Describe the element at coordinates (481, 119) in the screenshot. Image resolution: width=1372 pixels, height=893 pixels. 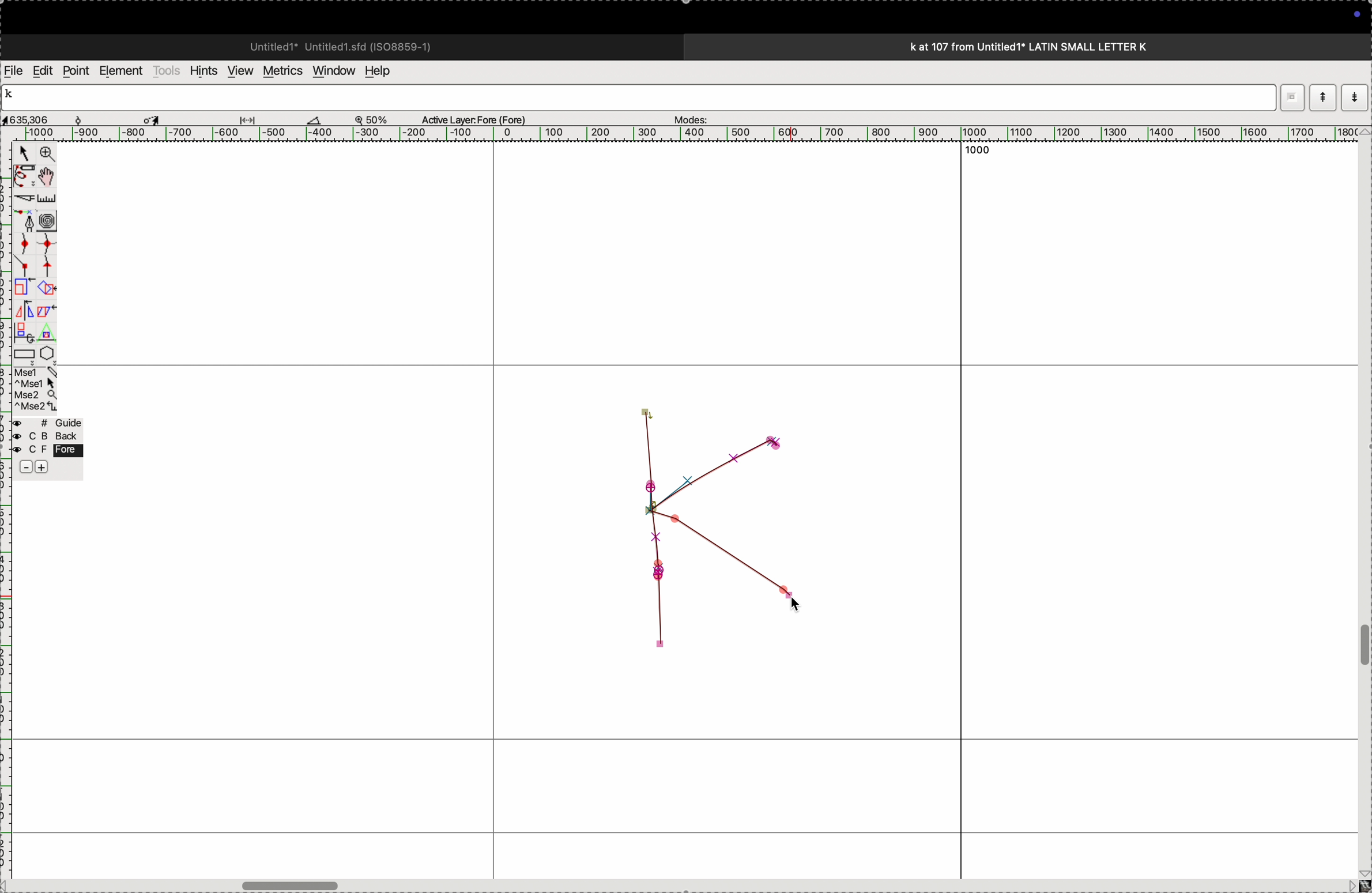
I see `active kayer` at that location.